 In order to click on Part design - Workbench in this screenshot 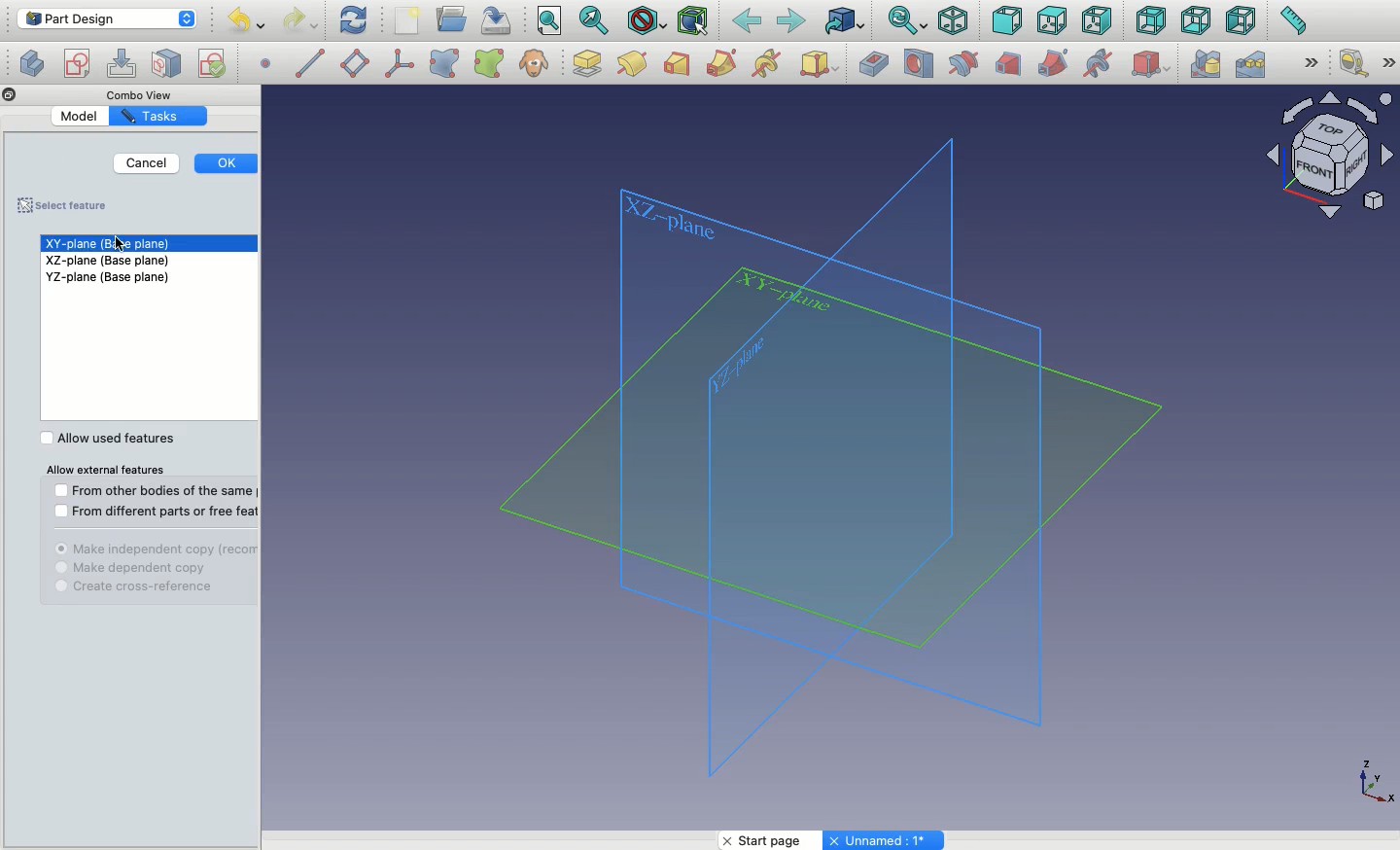, I will do `click(106, 18)`.